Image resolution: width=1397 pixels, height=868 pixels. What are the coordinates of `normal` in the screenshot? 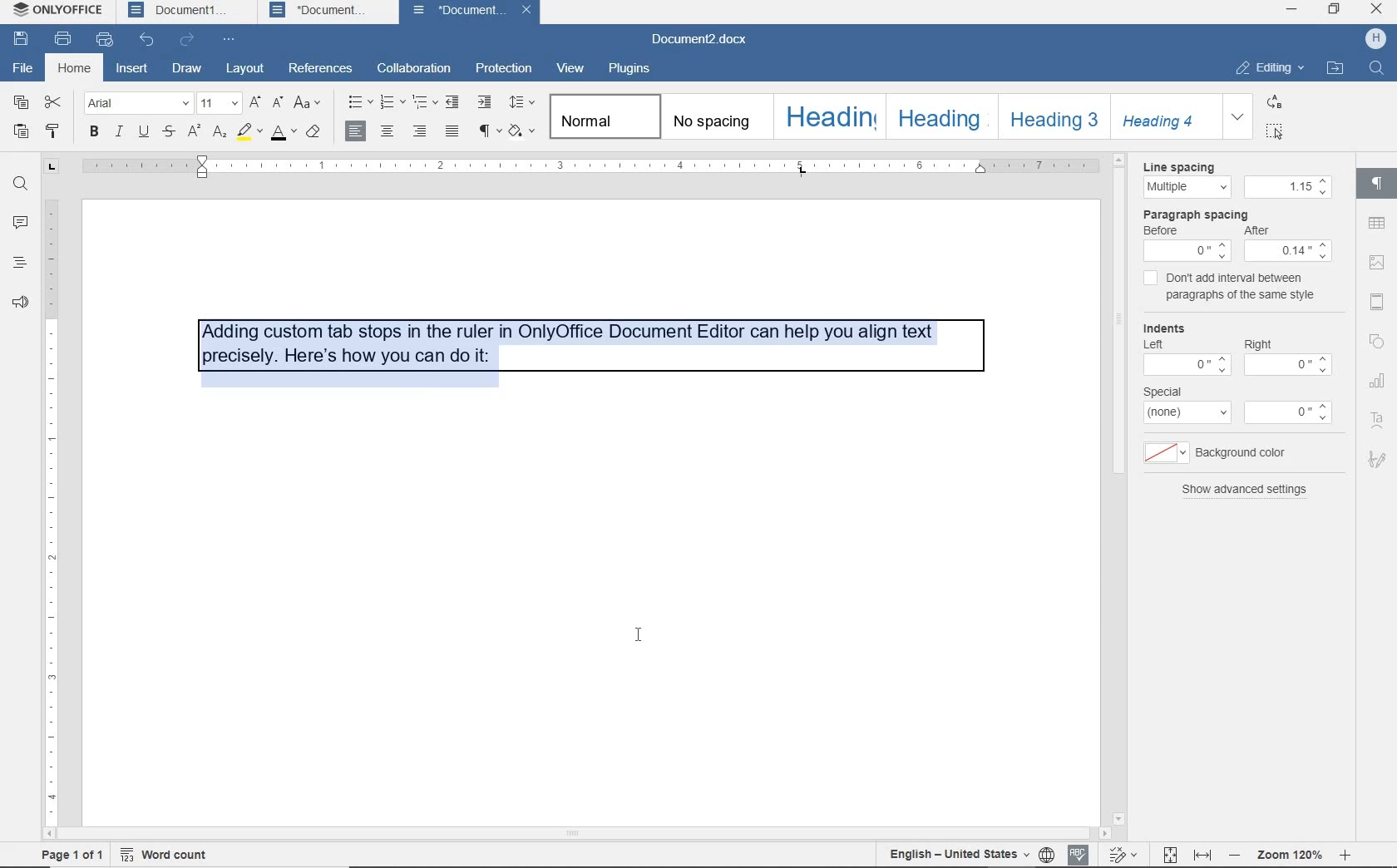 It's located at (602, 116).